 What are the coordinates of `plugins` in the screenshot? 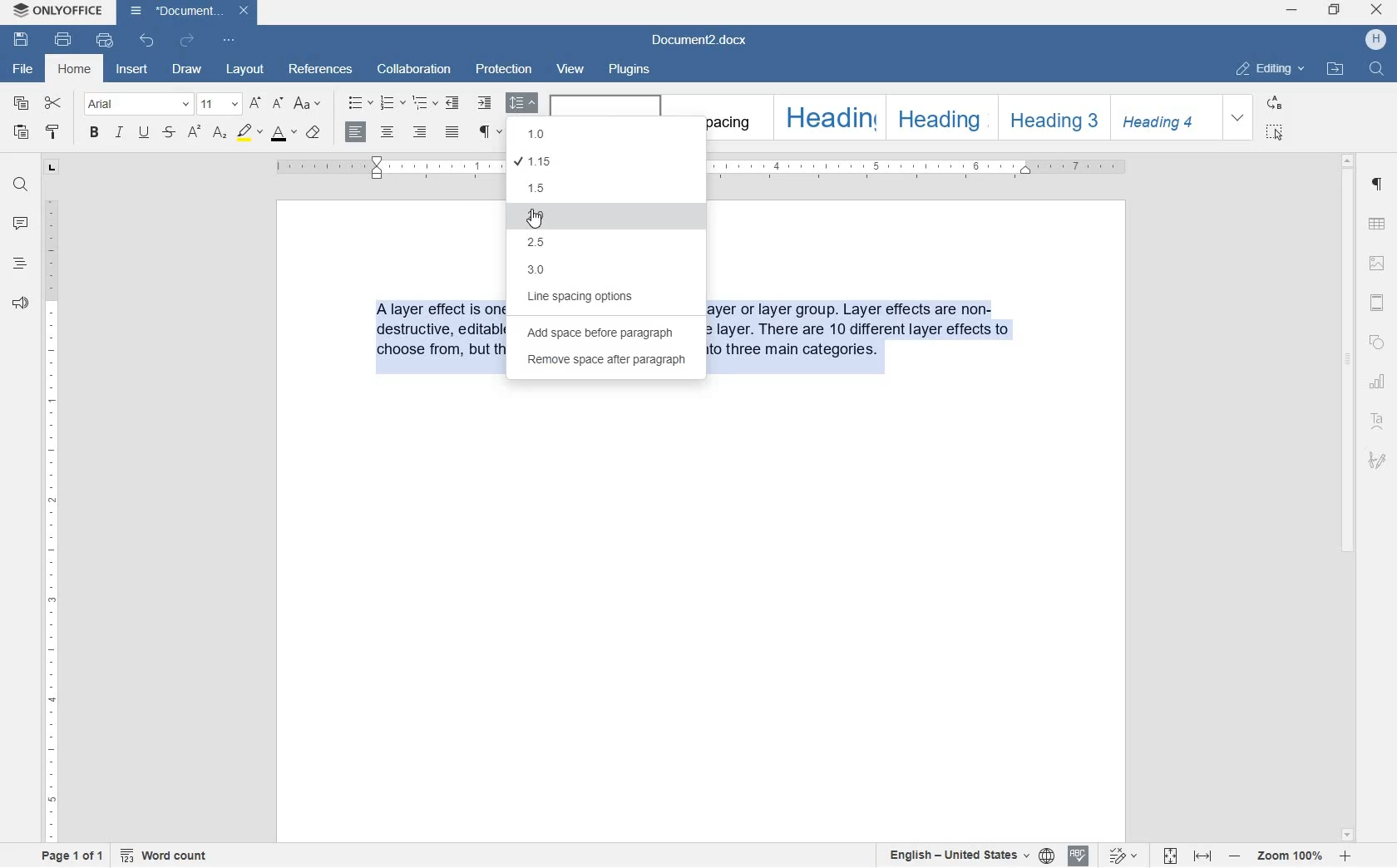 It's located at (635, 72).